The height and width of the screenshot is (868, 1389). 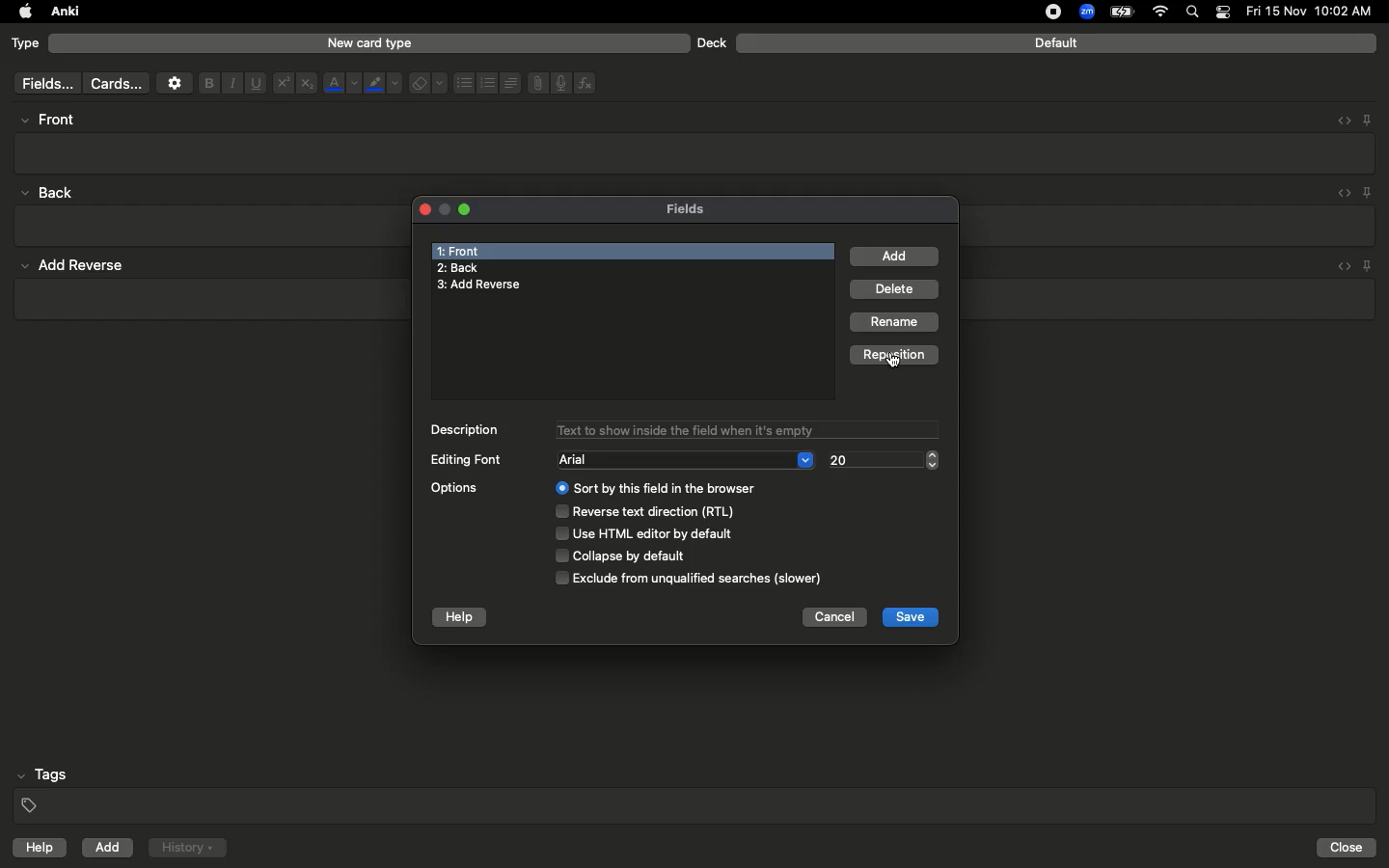 What do you see at coordinates (42, 84) in the screenshot?
I see `fields` at bounding box center [42, 84].